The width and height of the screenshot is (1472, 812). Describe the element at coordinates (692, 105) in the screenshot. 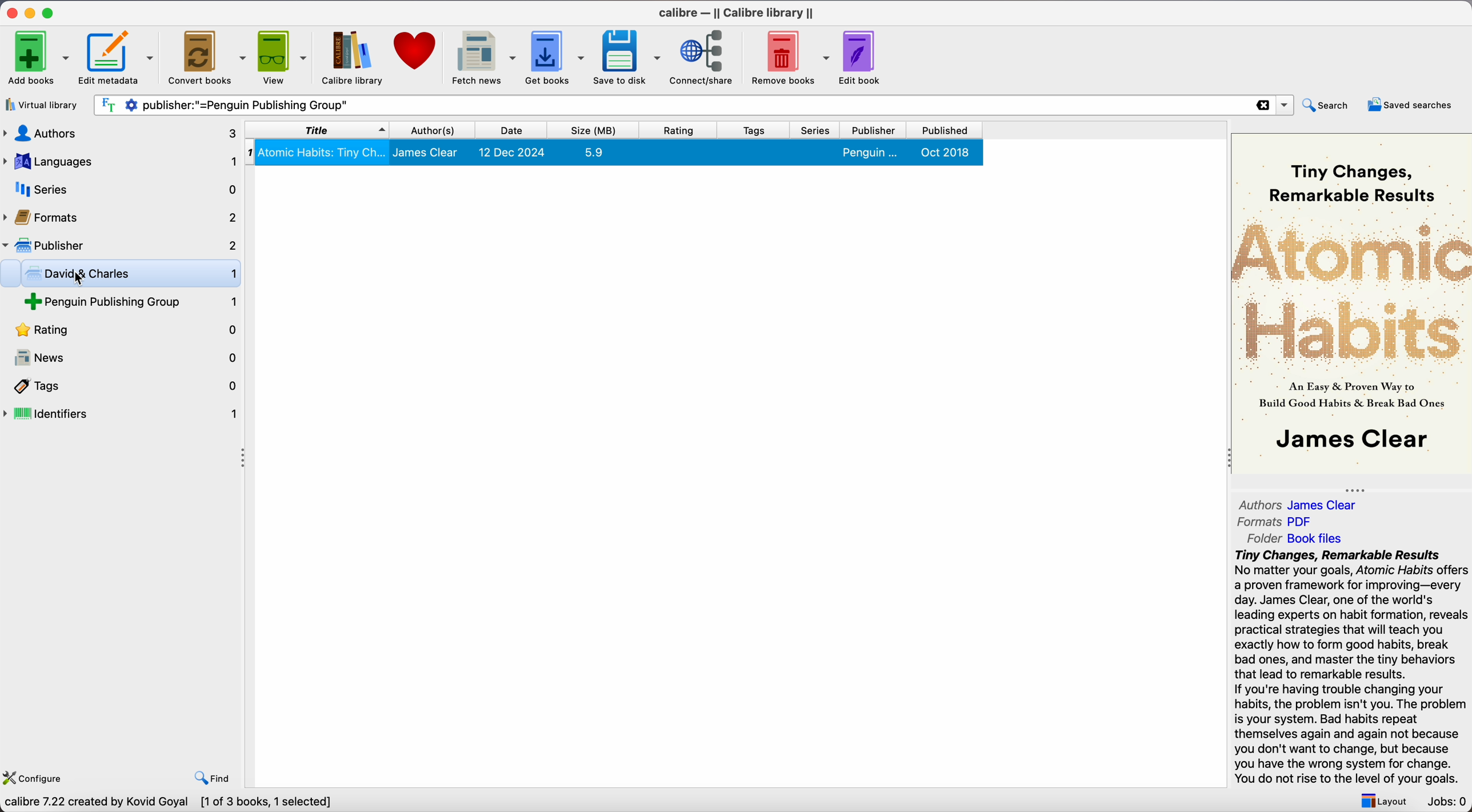

I see `search bar` at that location.